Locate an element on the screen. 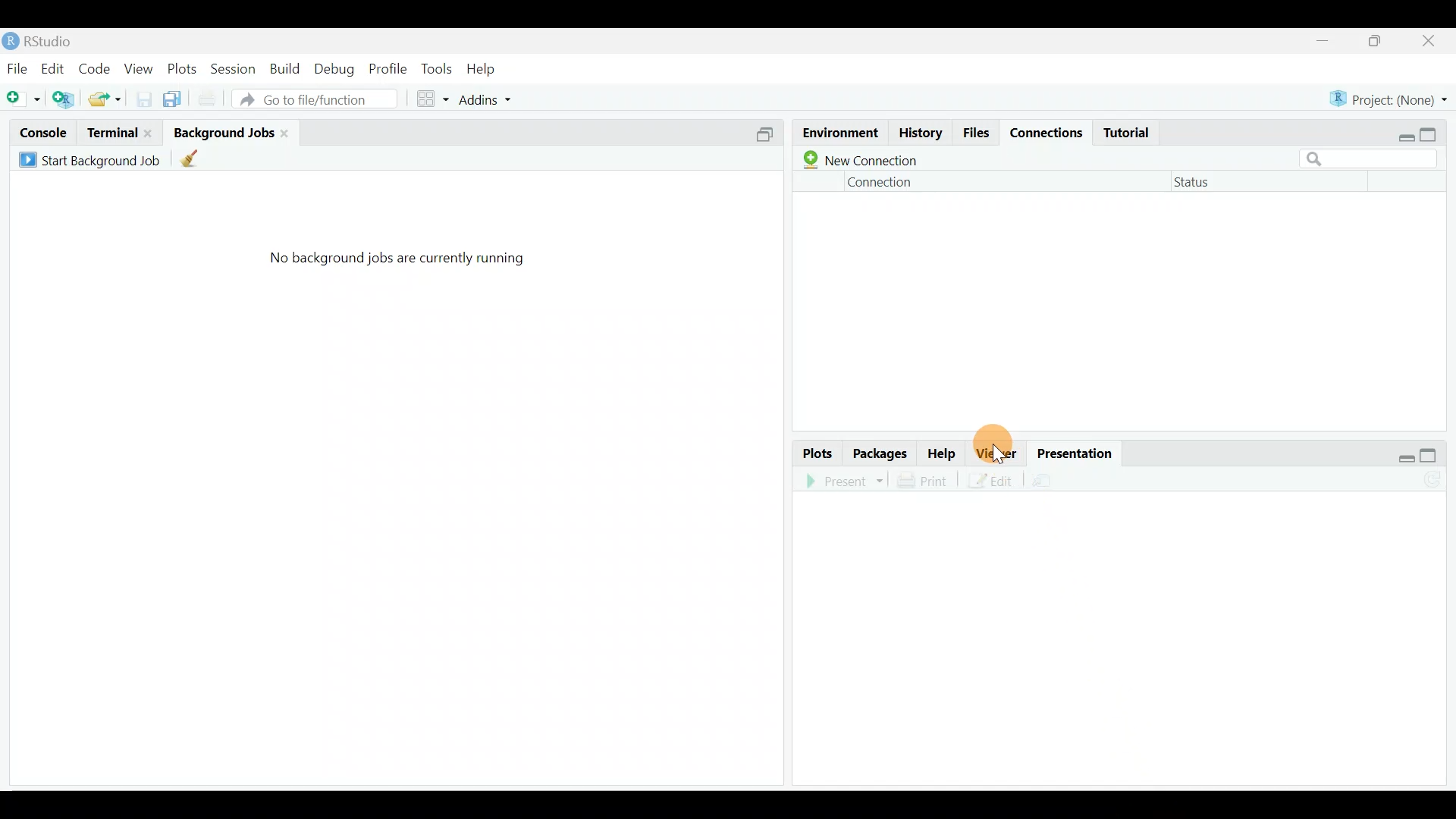 The image size is (1456, 819). Debug is located at coordinates (336, 69).